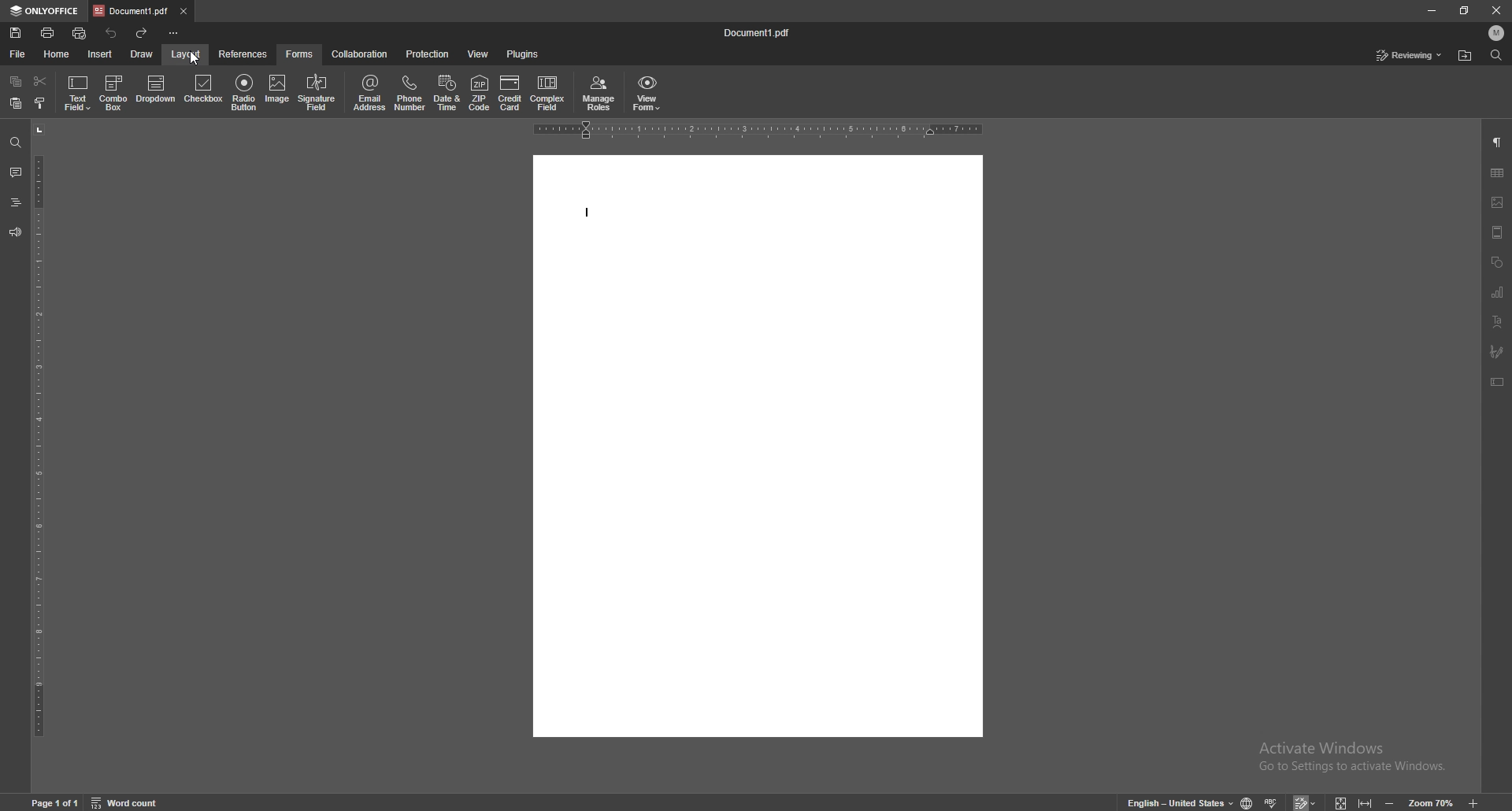 Image resolution: width=1512 pixels, height=811 pixels. I want to click on manage roles, so click(599, 93).